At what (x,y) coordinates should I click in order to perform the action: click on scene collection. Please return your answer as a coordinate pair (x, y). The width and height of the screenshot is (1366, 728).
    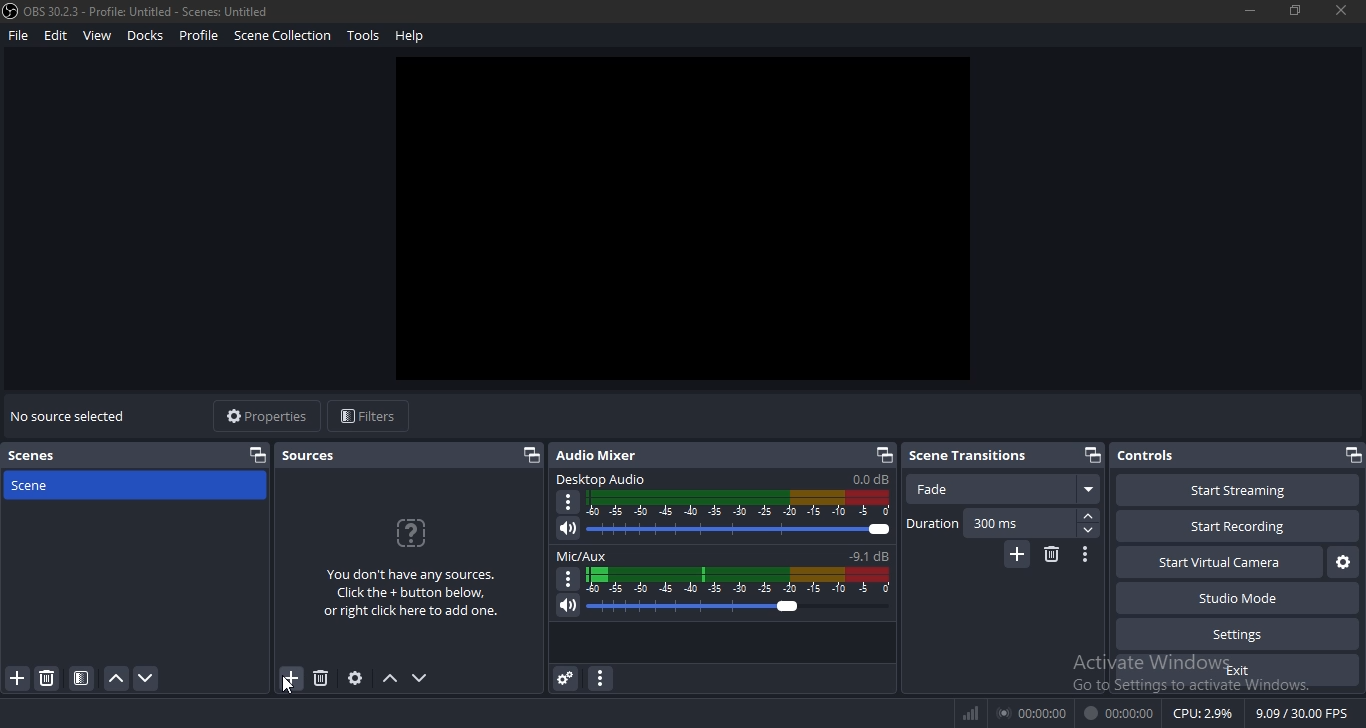
    Looking at the image, I should click on (283, 35).